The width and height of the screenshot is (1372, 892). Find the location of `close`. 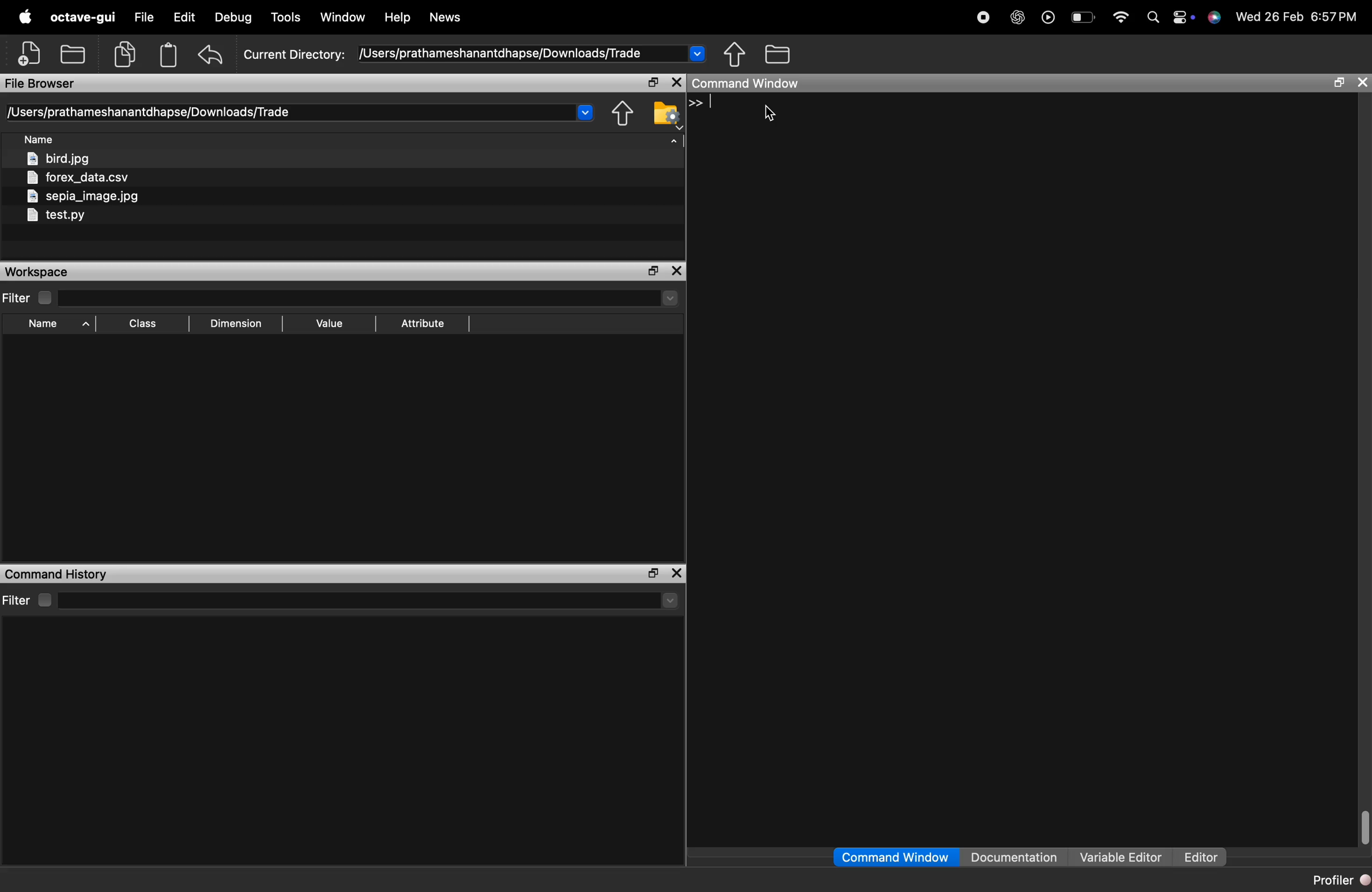

close is located at coordinates (677, 574).